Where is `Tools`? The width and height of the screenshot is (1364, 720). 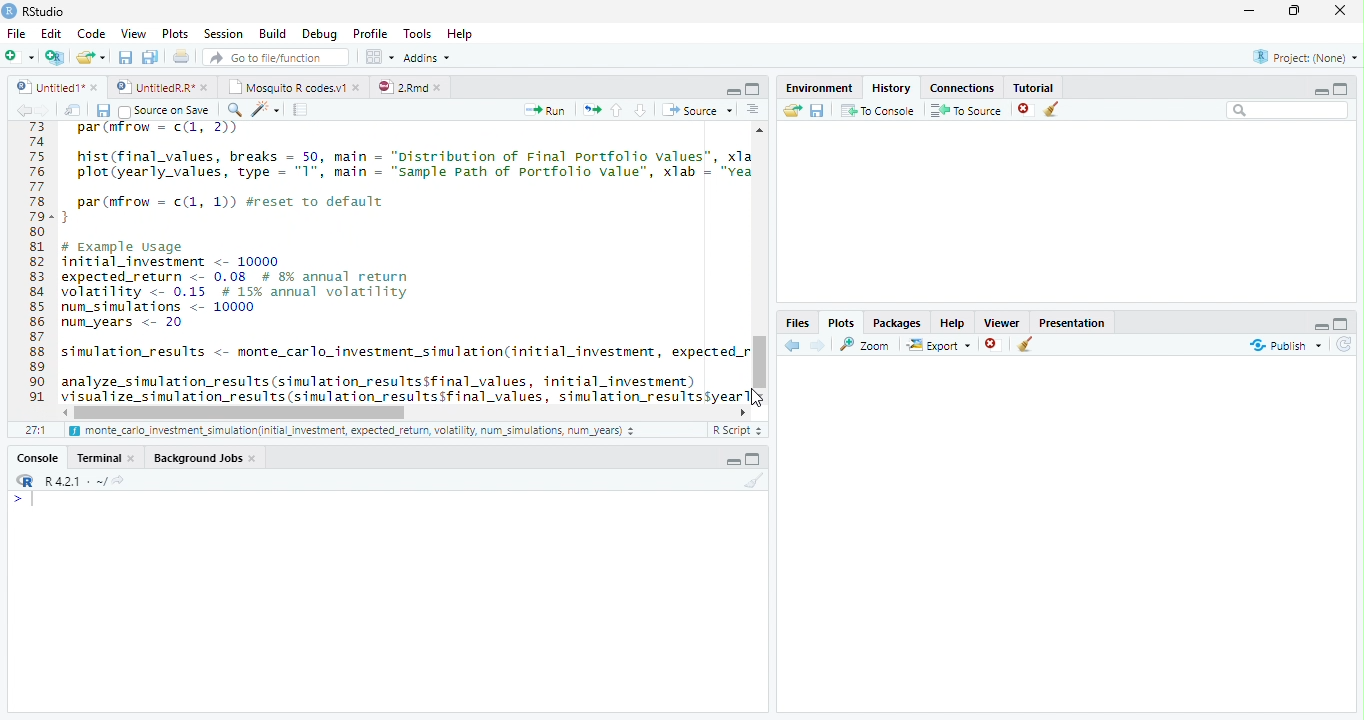
Tools is located at coordinates (416, 34).